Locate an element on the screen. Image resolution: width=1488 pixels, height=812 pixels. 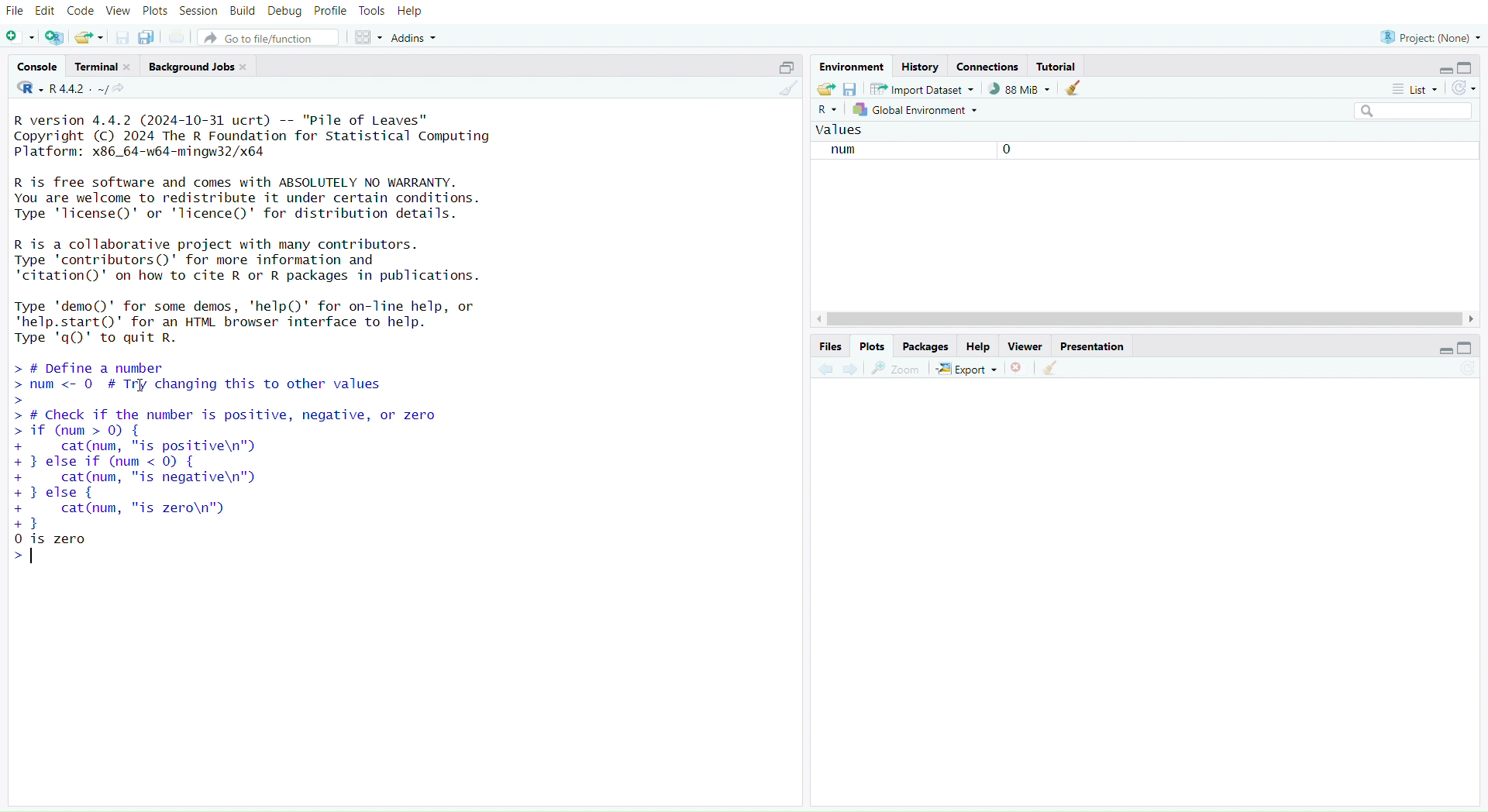
backward is located at coordinates (825, 368).